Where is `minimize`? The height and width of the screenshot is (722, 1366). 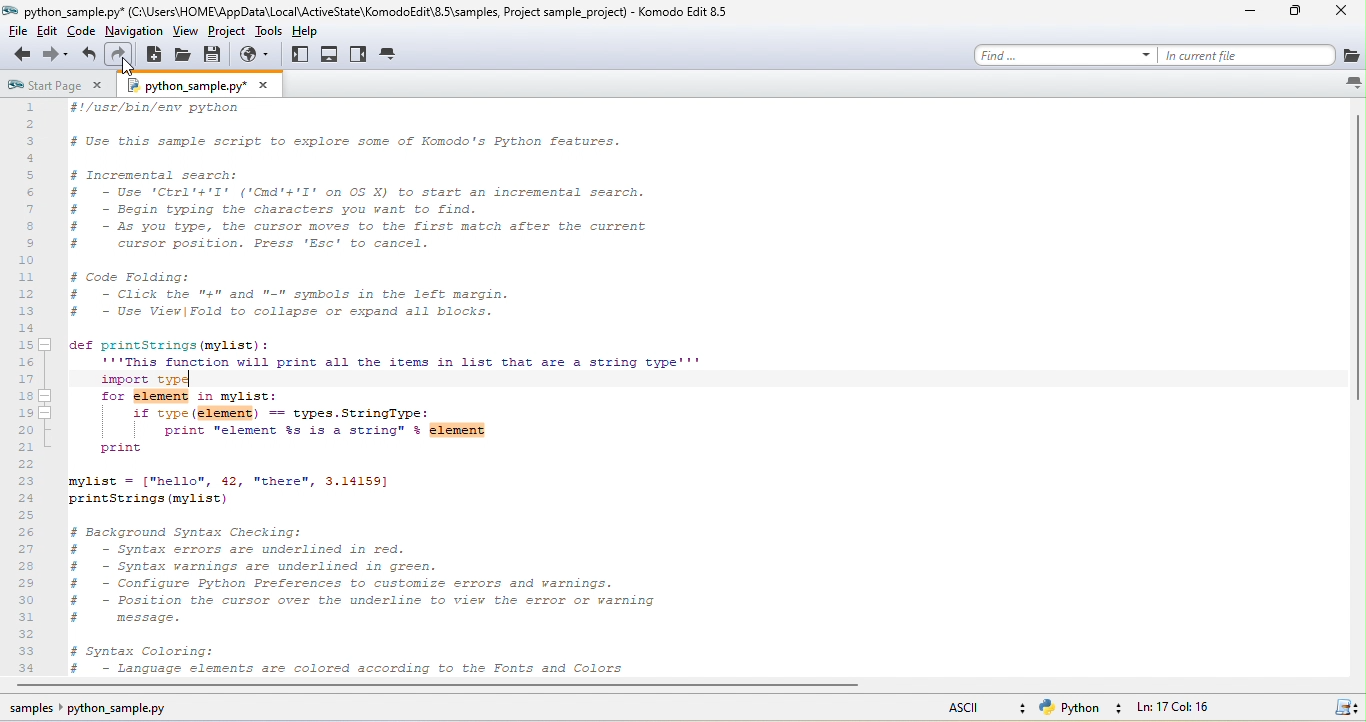
minimize is located at coordinates (1243, 11).